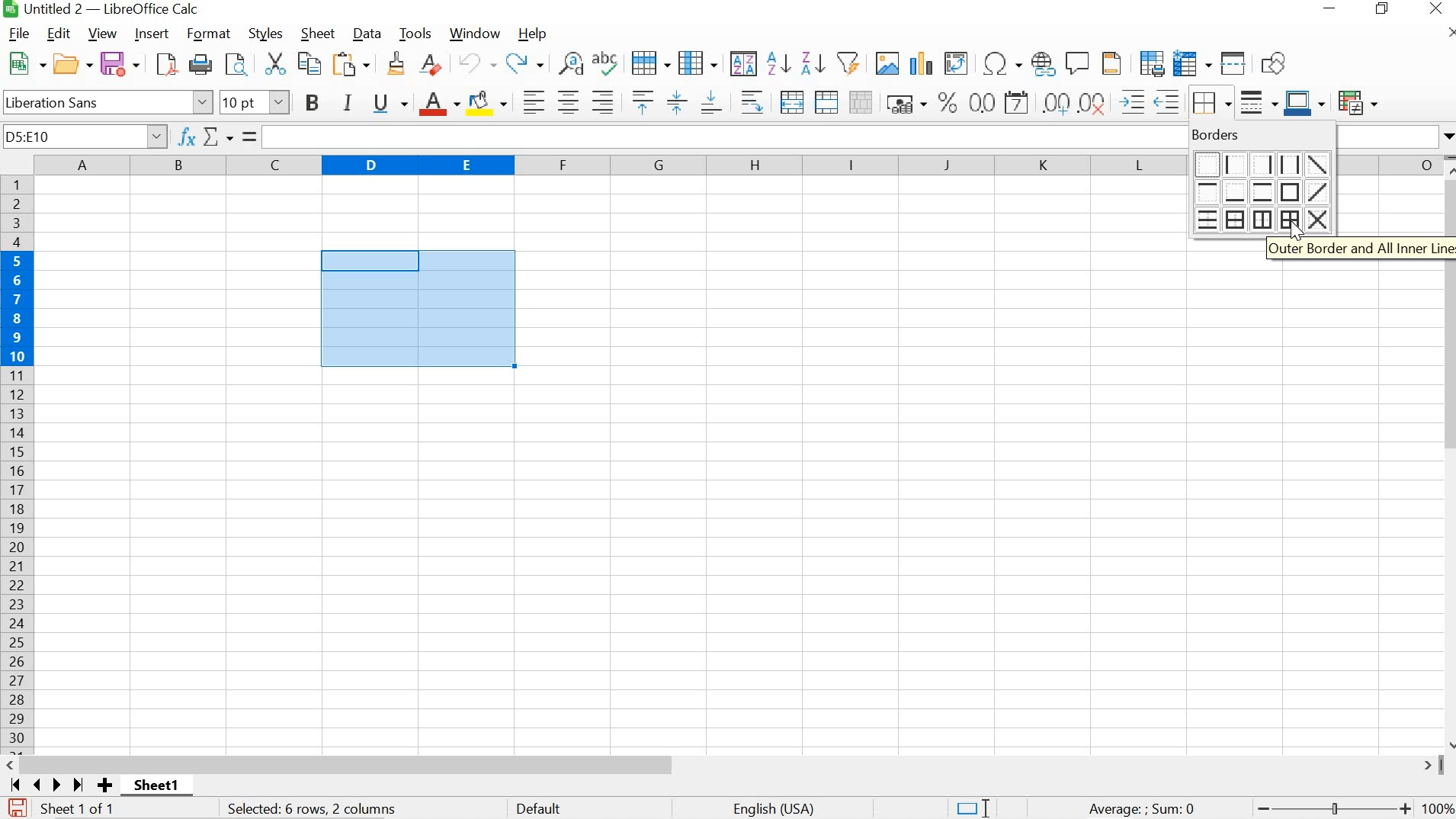  Describe the element at coordinates (752, 101) in the screenshot. I see `WRAP TEXT` at that location.